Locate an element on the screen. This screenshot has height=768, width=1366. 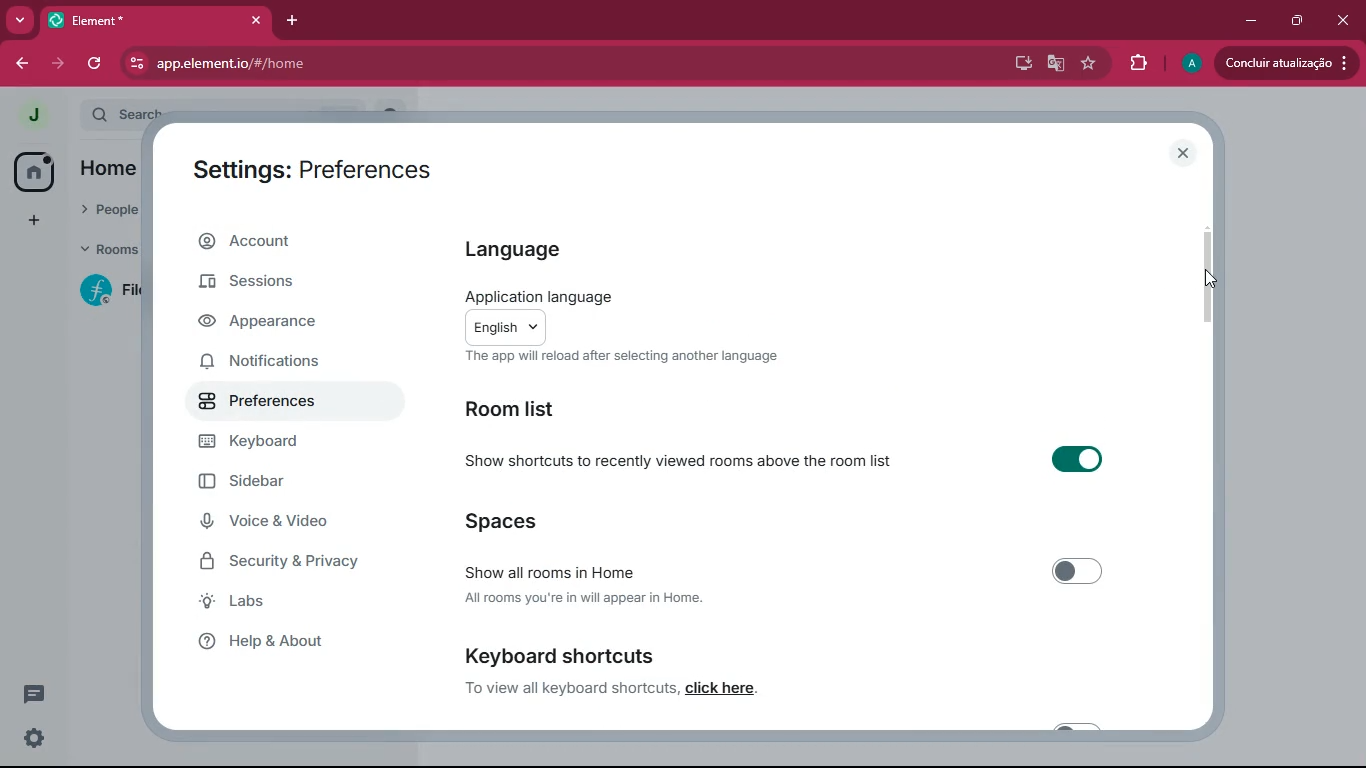
more is located at coordinates (19, 20).